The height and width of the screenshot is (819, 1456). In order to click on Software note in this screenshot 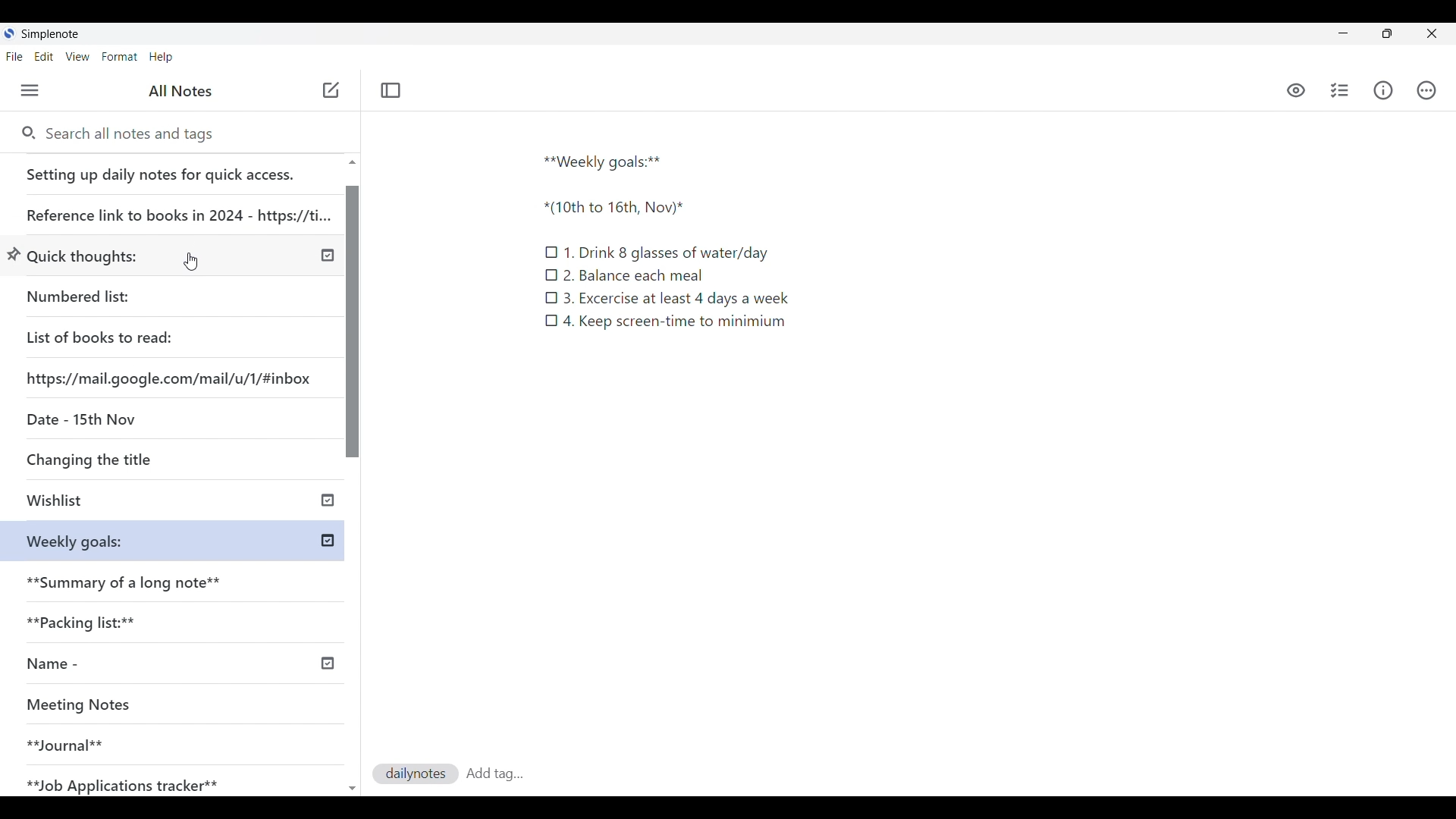, I will do `click(52, 34)`.